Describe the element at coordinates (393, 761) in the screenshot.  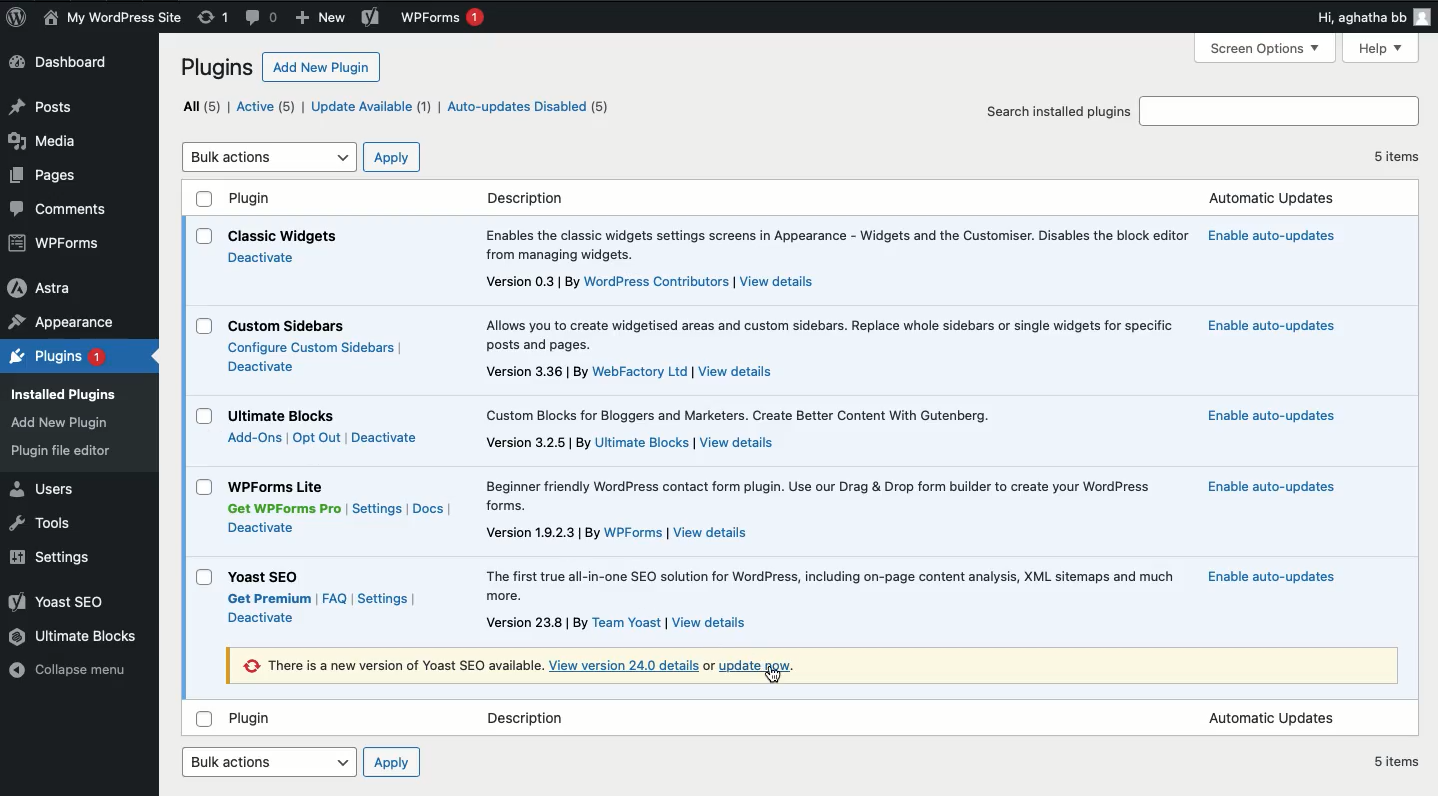
I see `Apply` at that location.